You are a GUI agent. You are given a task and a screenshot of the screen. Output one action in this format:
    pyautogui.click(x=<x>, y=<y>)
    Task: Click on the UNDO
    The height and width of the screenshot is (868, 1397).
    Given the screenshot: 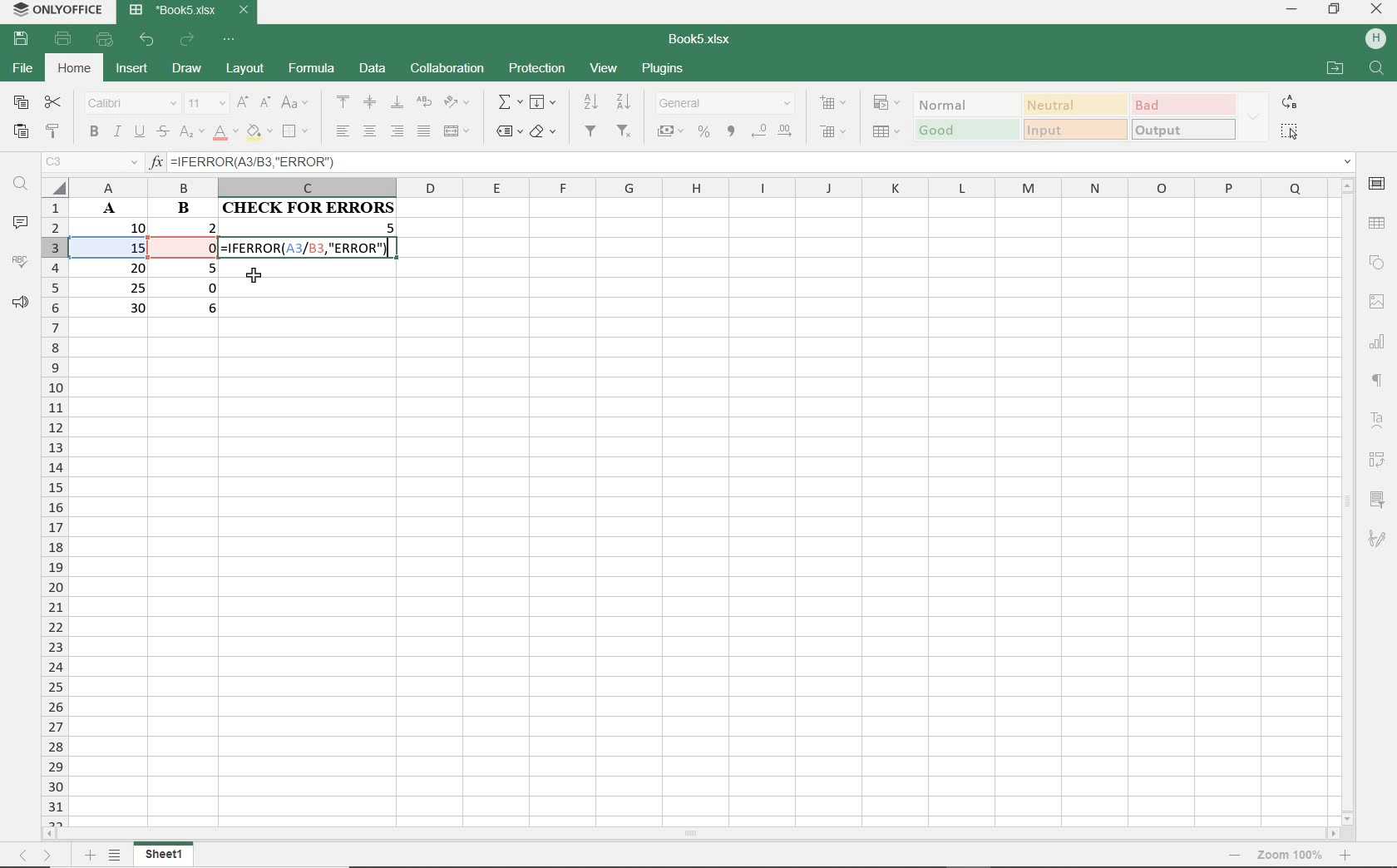 What is the action you would take?
    pyautogui.click(x=147, y=40)
    